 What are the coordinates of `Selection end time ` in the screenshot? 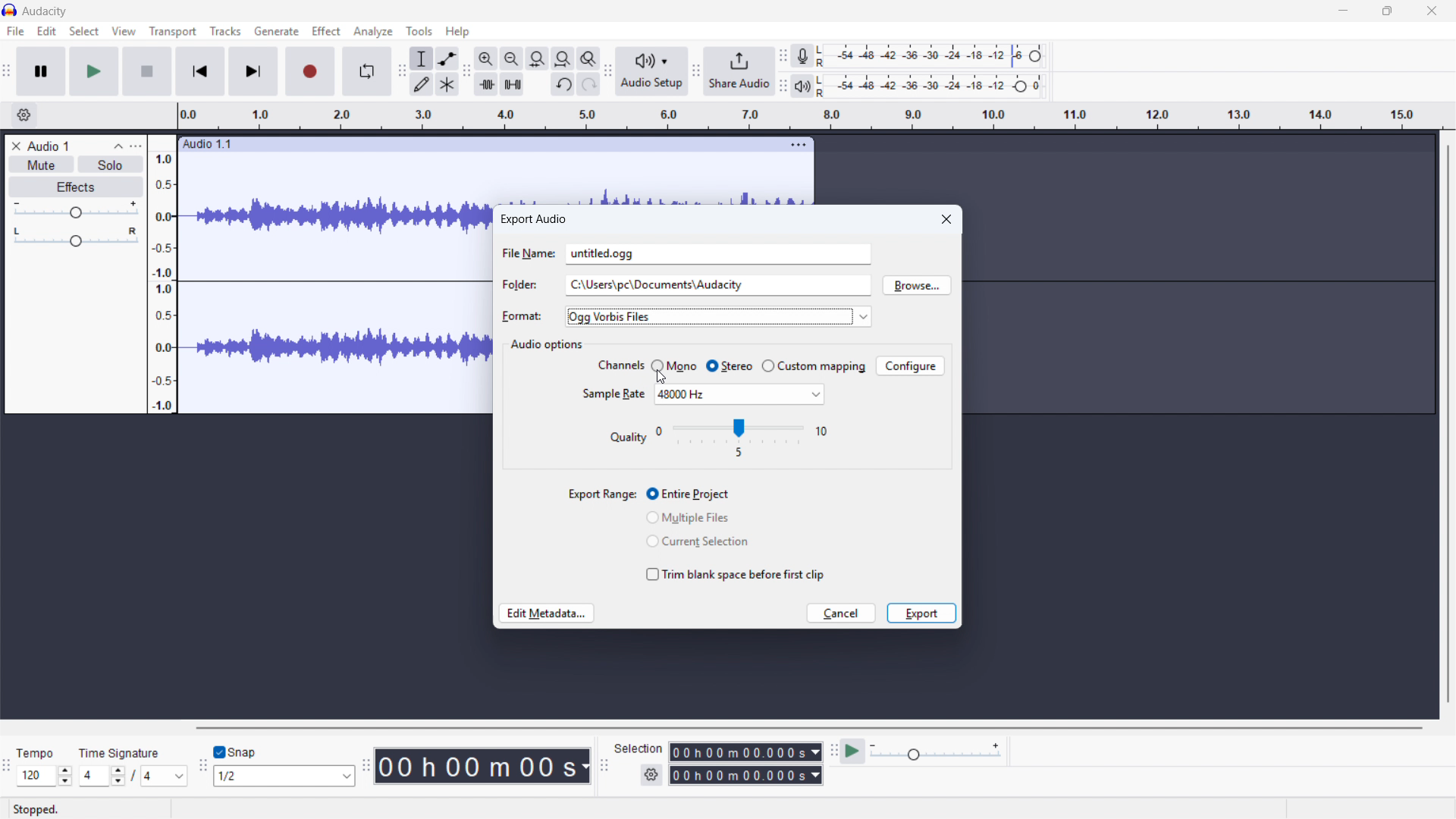 It's located at (745, 775).